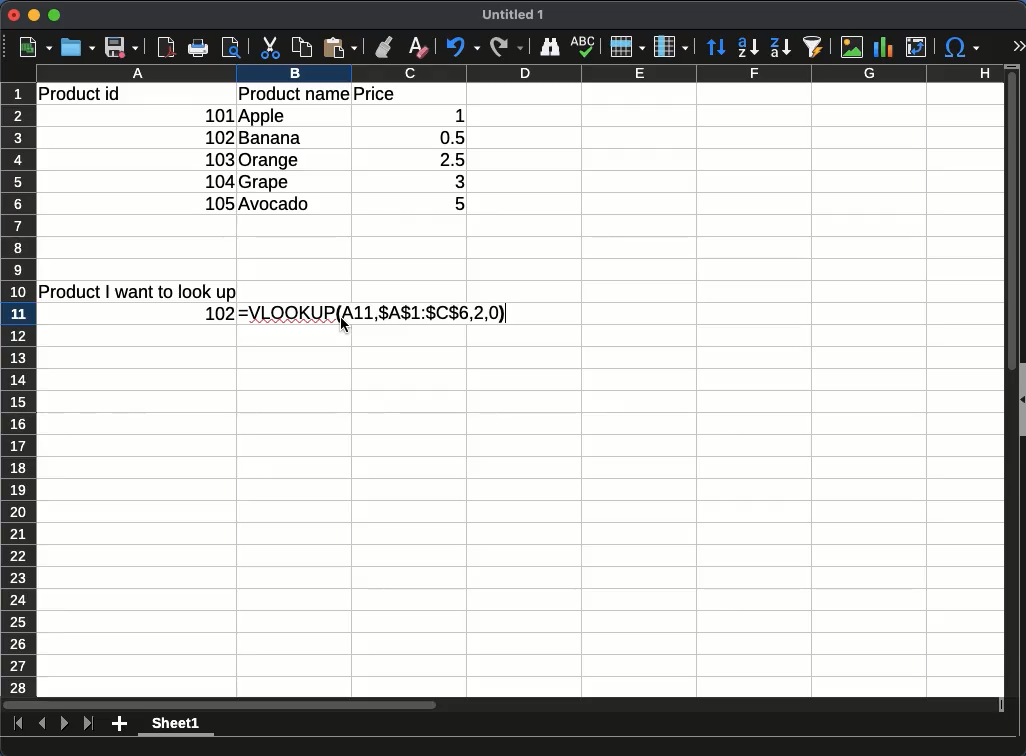 The height and width of the screenshot is (756, 1026). What do you see at coordinates (78, 47) in the screenshot?
I see `open` at bounding box center [78, 47].